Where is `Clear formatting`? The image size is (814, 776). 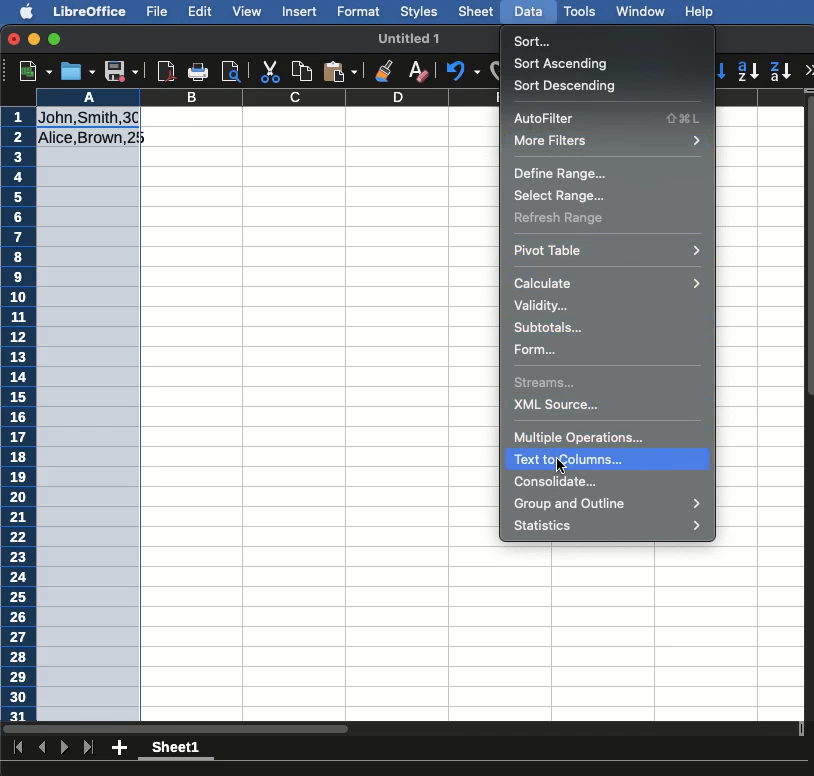 Clear formatting is located at coordinates (421, 71).